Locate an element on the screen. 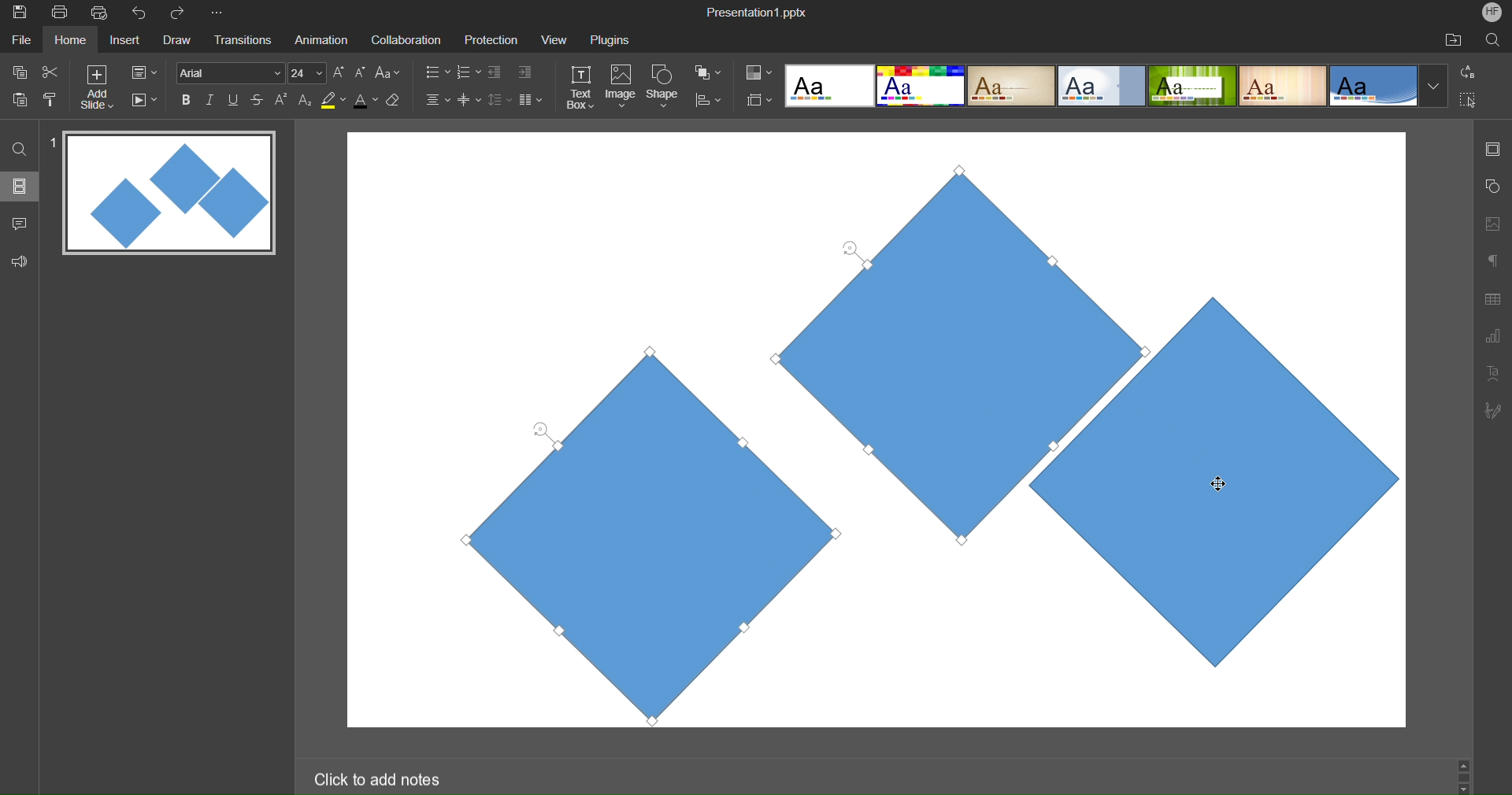 This screenshot has height=795, width=1512. Subscript is located at coordinates (306, 99).